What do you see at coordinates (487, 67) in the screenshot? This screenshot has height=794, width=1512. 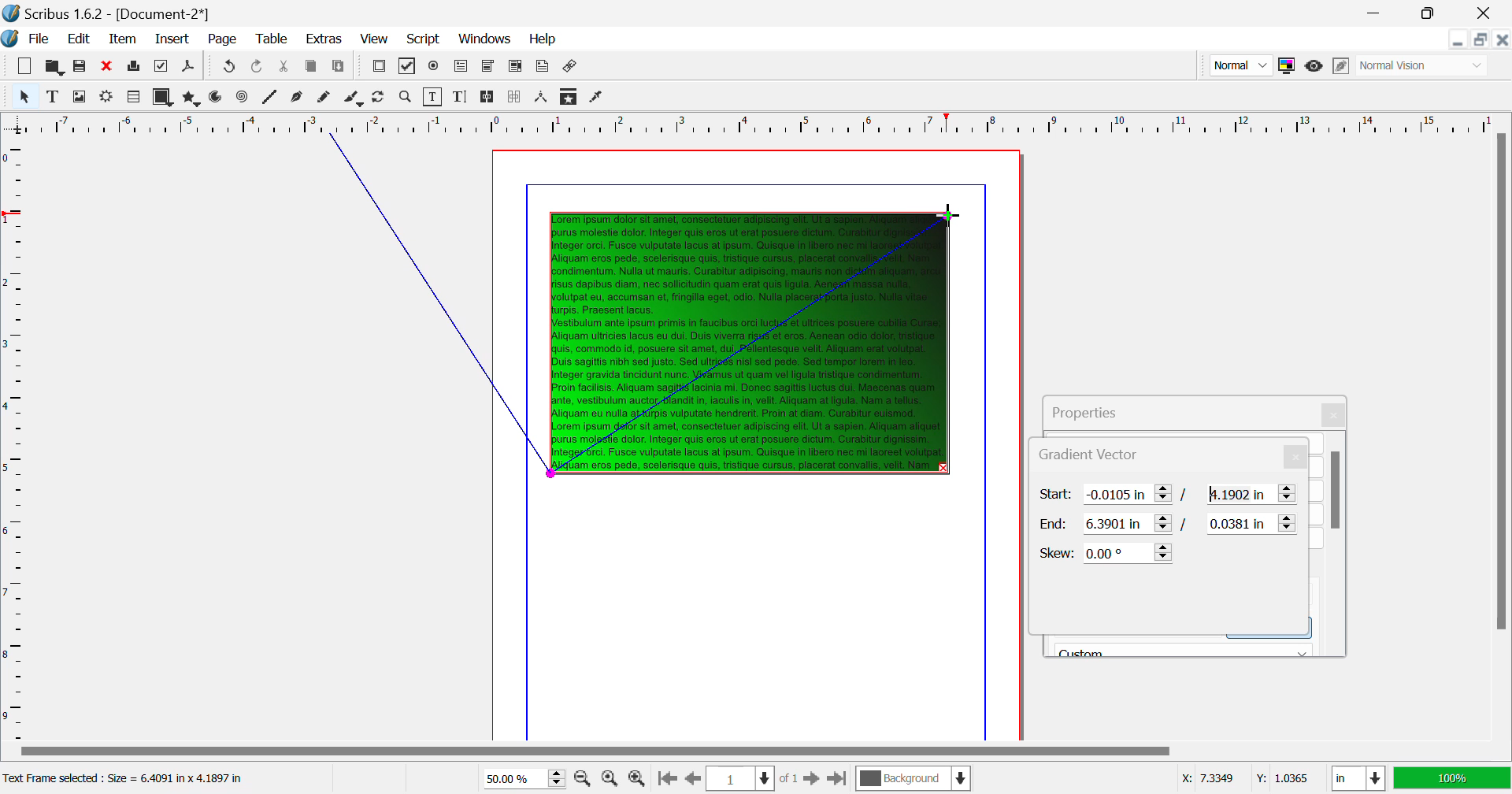 I see `Pdf Combo Box` at bounding box center [487, 67].